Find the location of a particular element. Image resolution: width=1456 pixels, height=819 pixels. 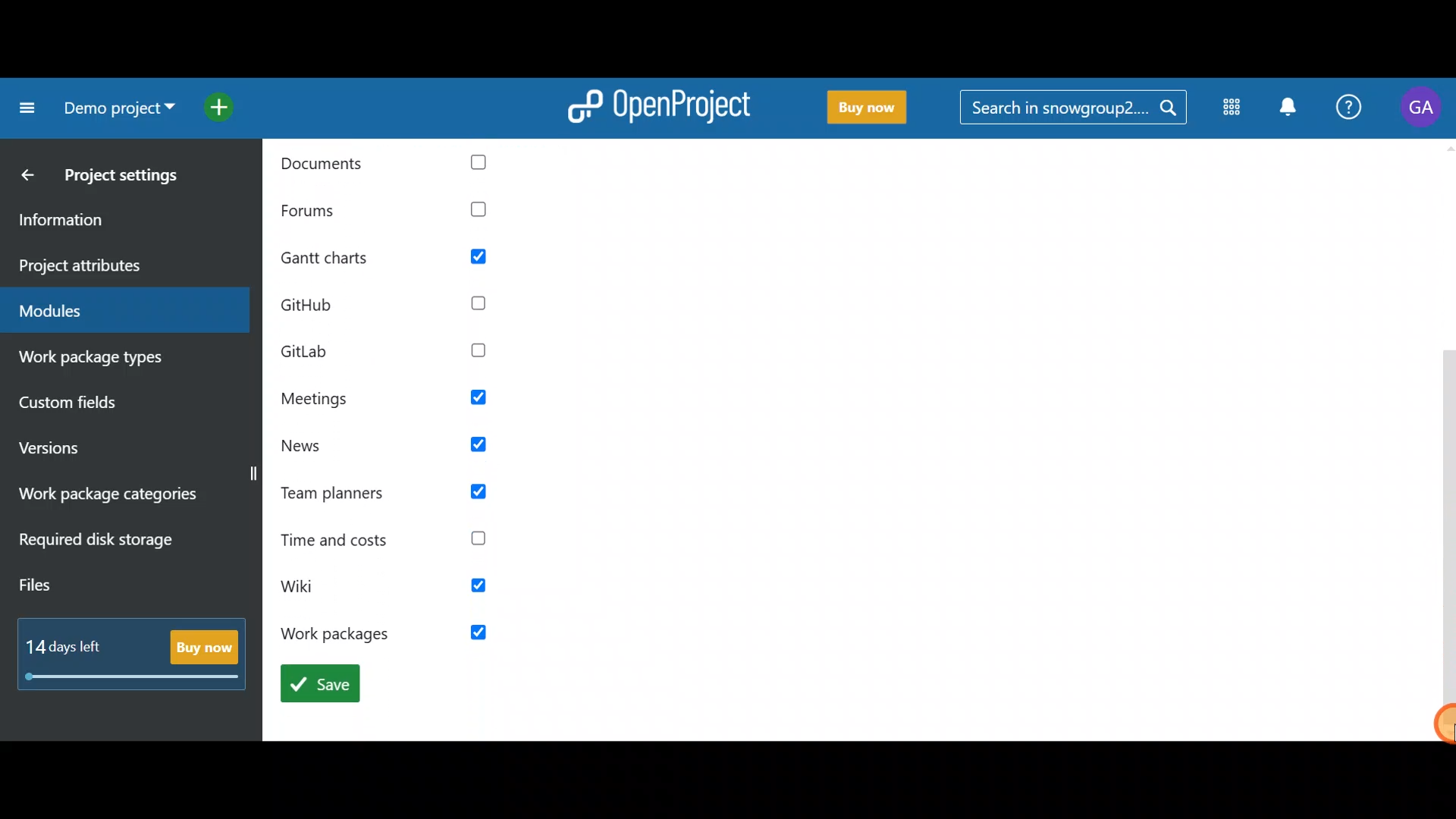

Work package categories is located at coordinates (121, 497).